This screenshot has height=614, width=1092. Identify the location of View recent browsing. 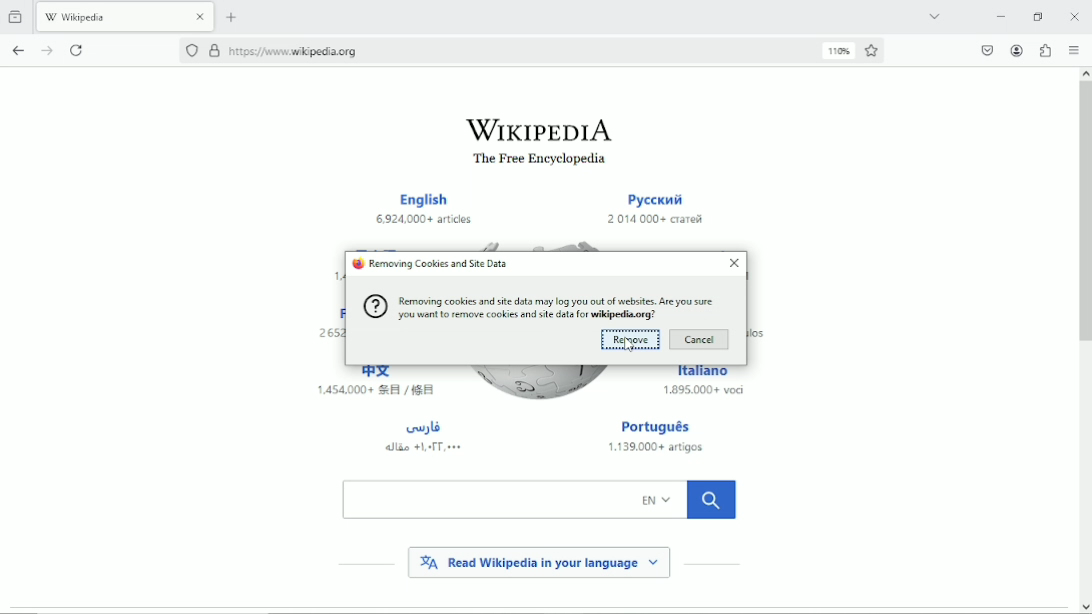
(17, 15).